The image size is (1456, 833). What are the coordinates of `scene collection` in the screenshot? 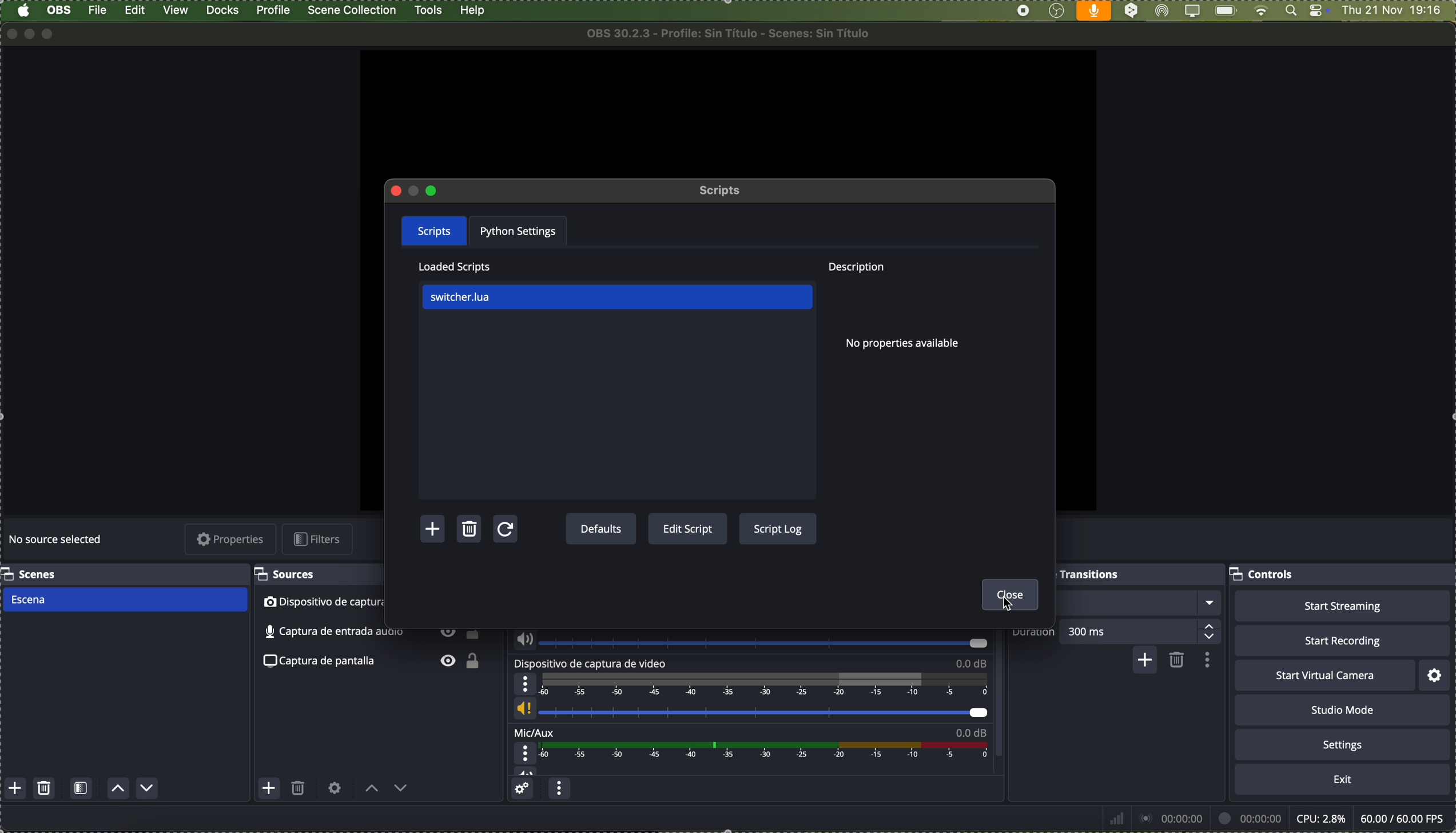 It's located at (353, 10).